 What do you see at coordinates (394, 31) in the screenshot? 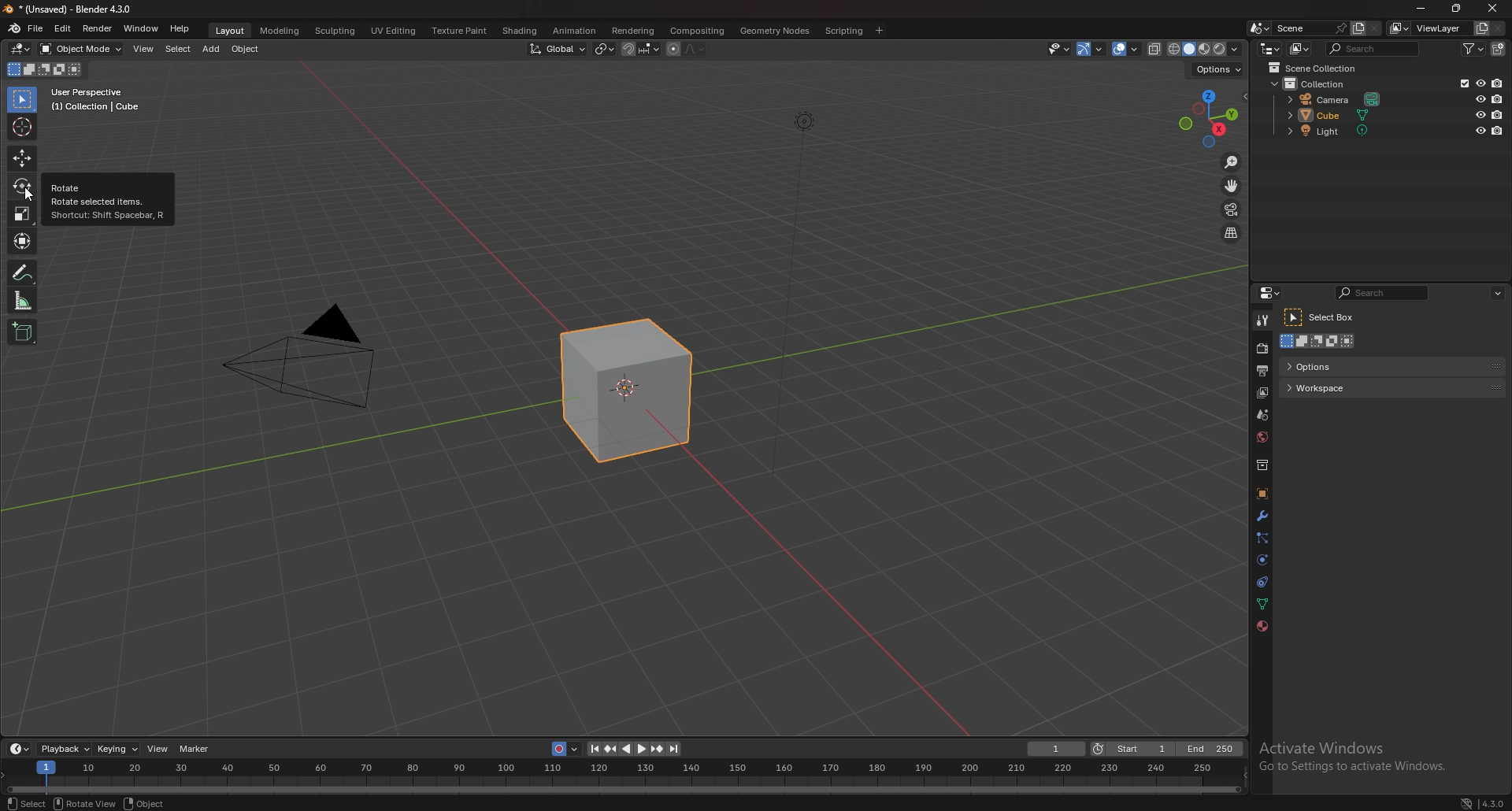
I see `uv editing` at bounding box center [394, 31].